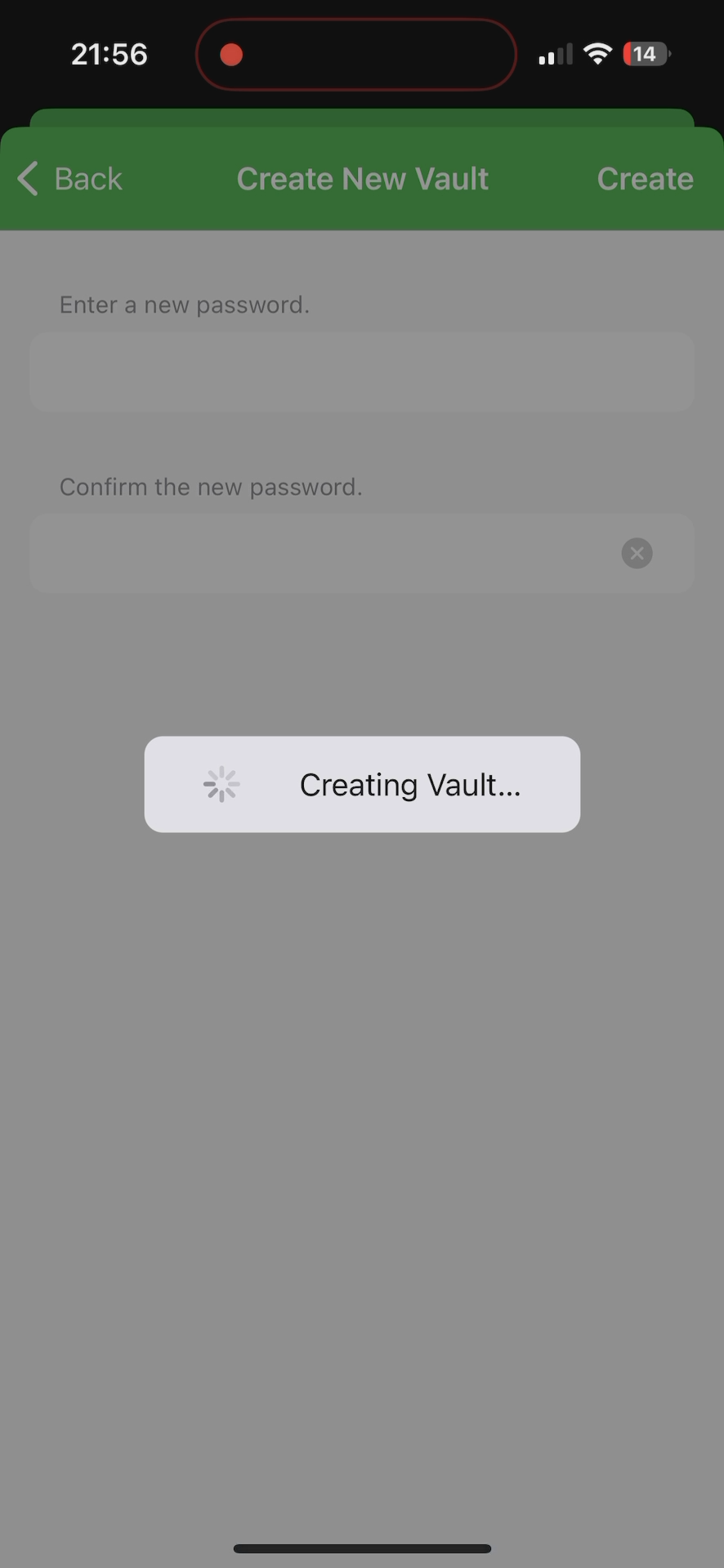 This screenshot has width=724, height=1568. I want to click on 21:56, so click(107, 57).